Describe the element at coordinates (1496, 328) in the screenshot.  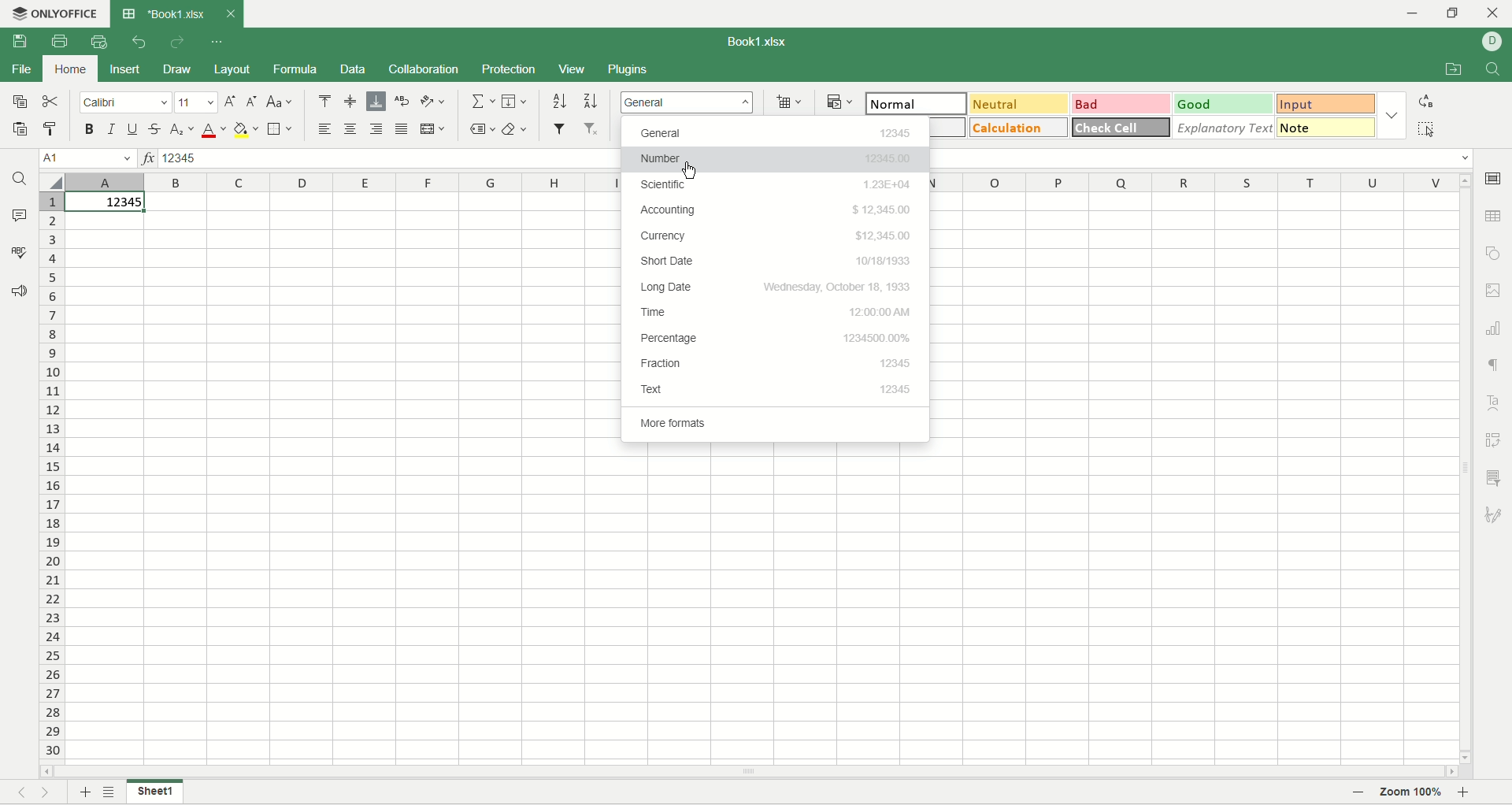
I see `graph settings` at that location.